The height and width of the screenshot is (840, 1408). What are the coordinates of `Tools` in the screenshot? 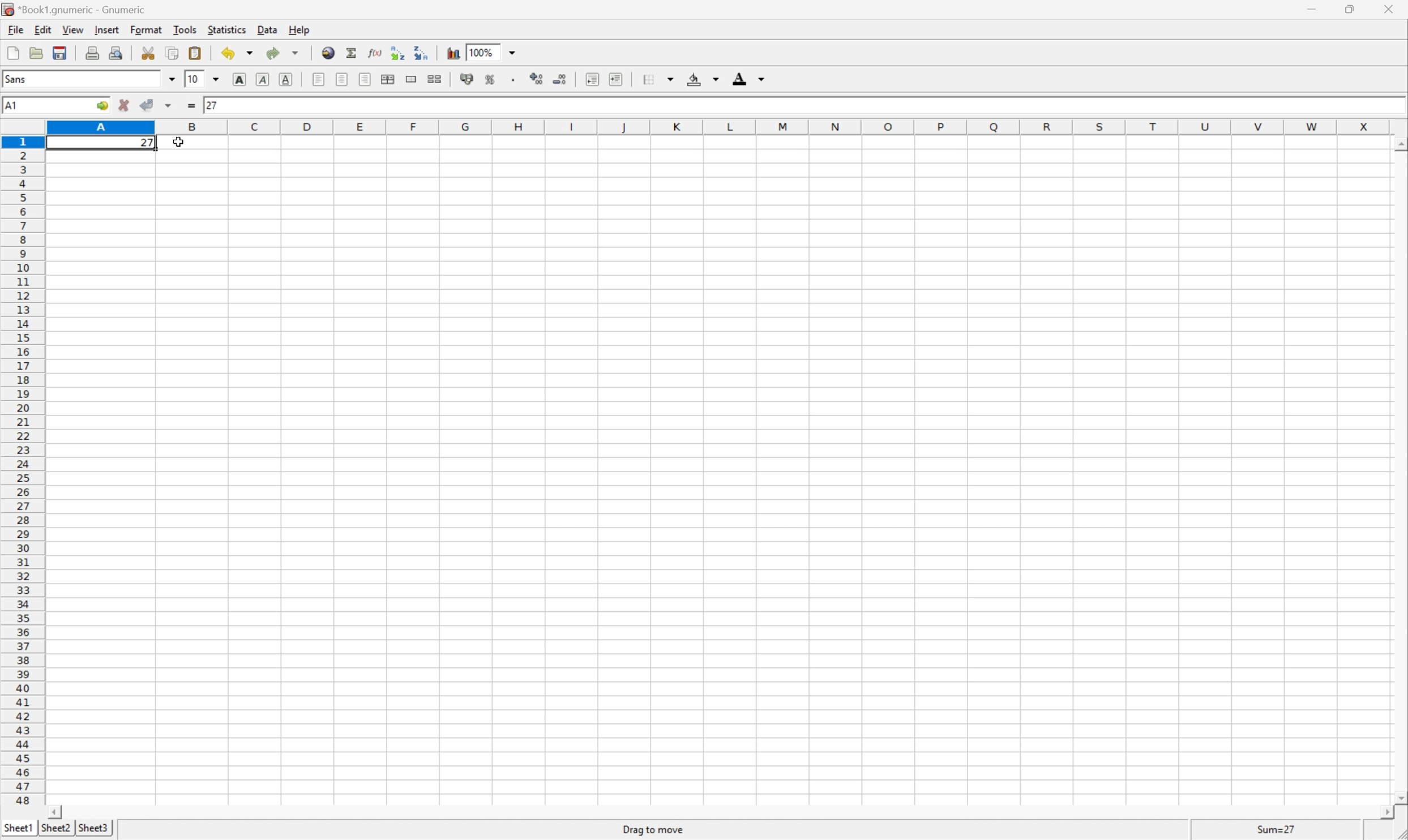 It's located at (184, 28).